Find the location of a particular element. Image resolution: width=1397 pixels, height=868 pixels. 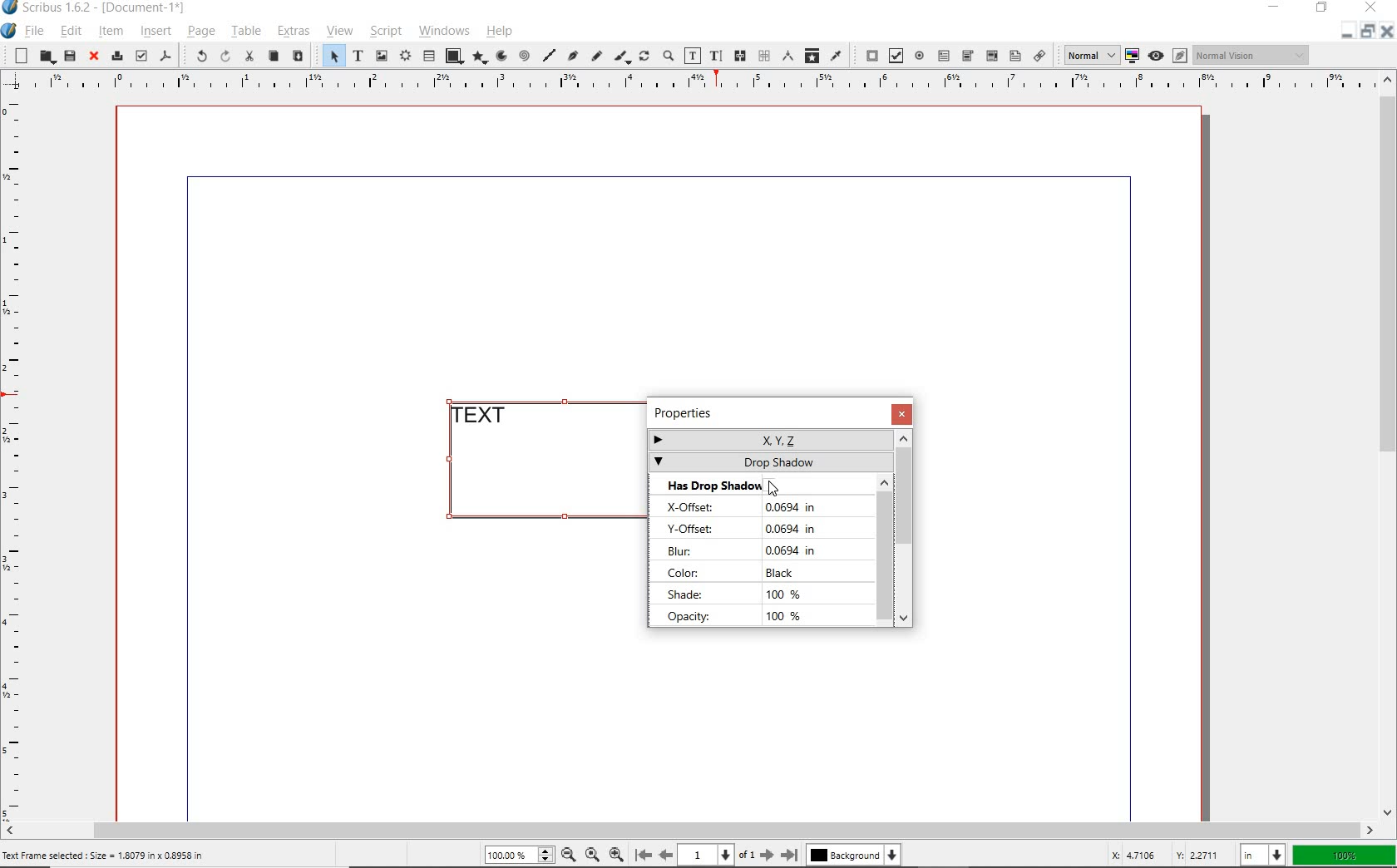

Next Page is located at coordinates (768, 855).